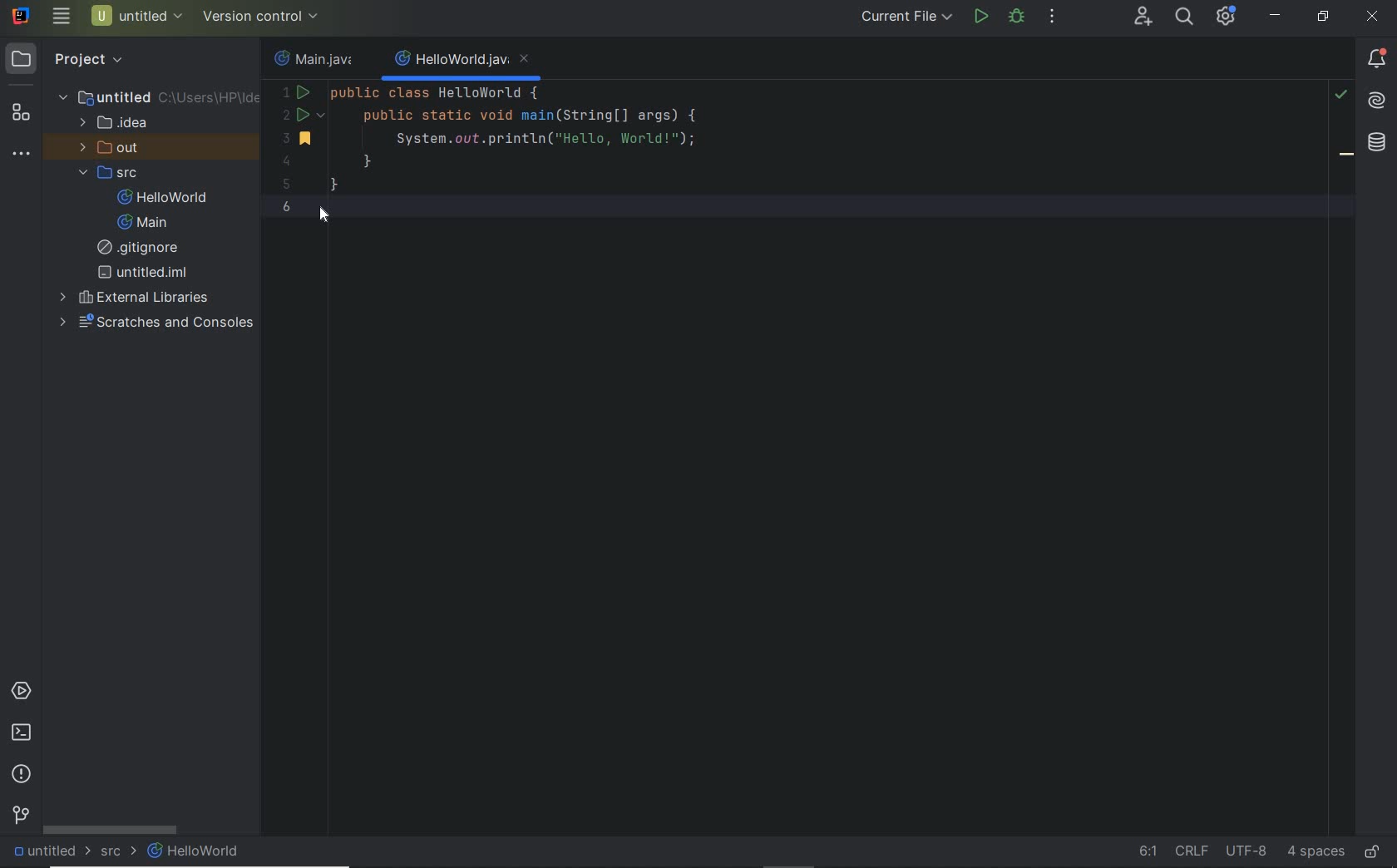 This screenshot has height=868, width=1397. I want to click on IDE and Project Settings, so click(1224, 16).